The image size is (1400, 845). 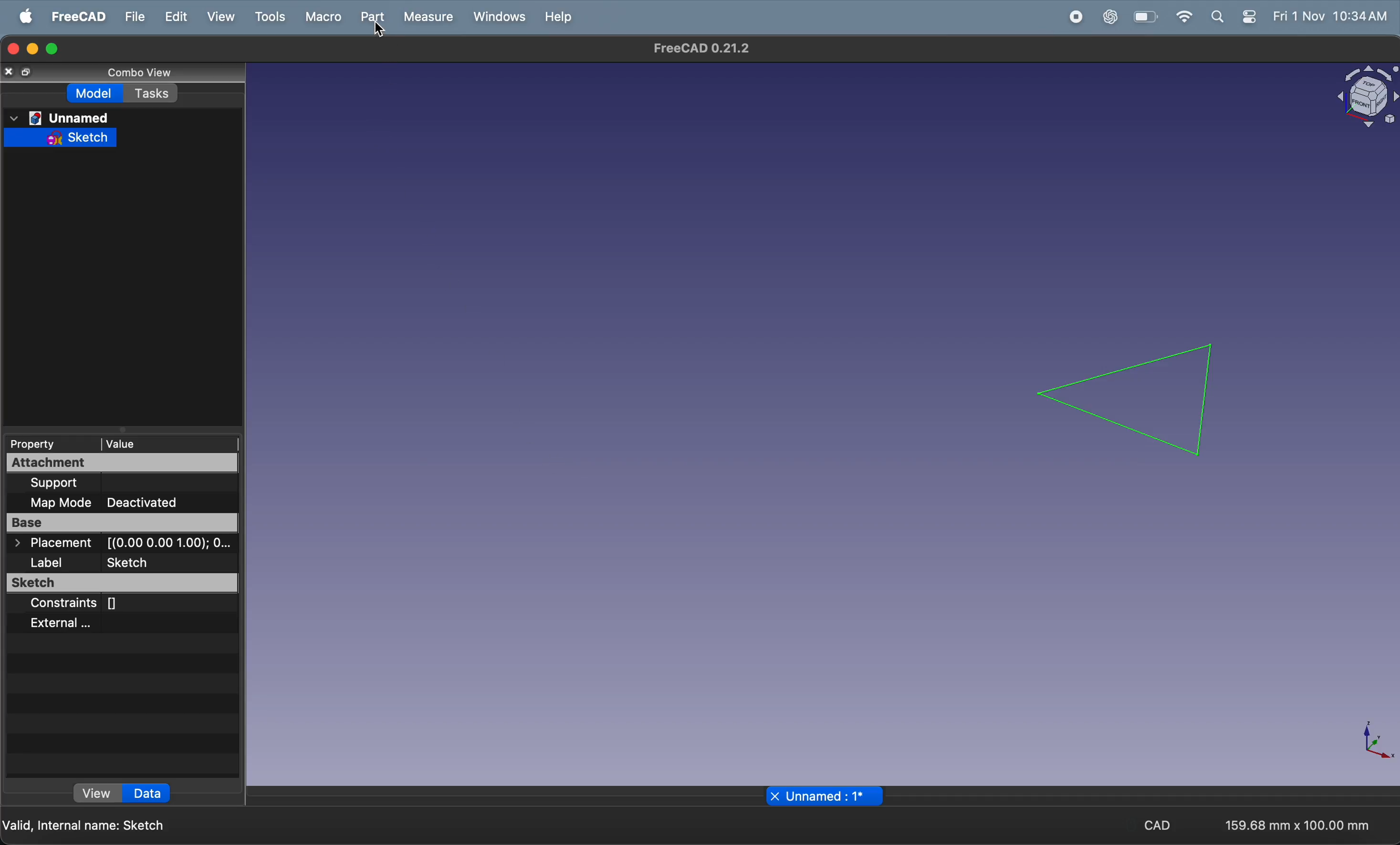 What do you see at coordinates (147, 793) in the screenshot?
I see `data` at bounding box center [147, 793].